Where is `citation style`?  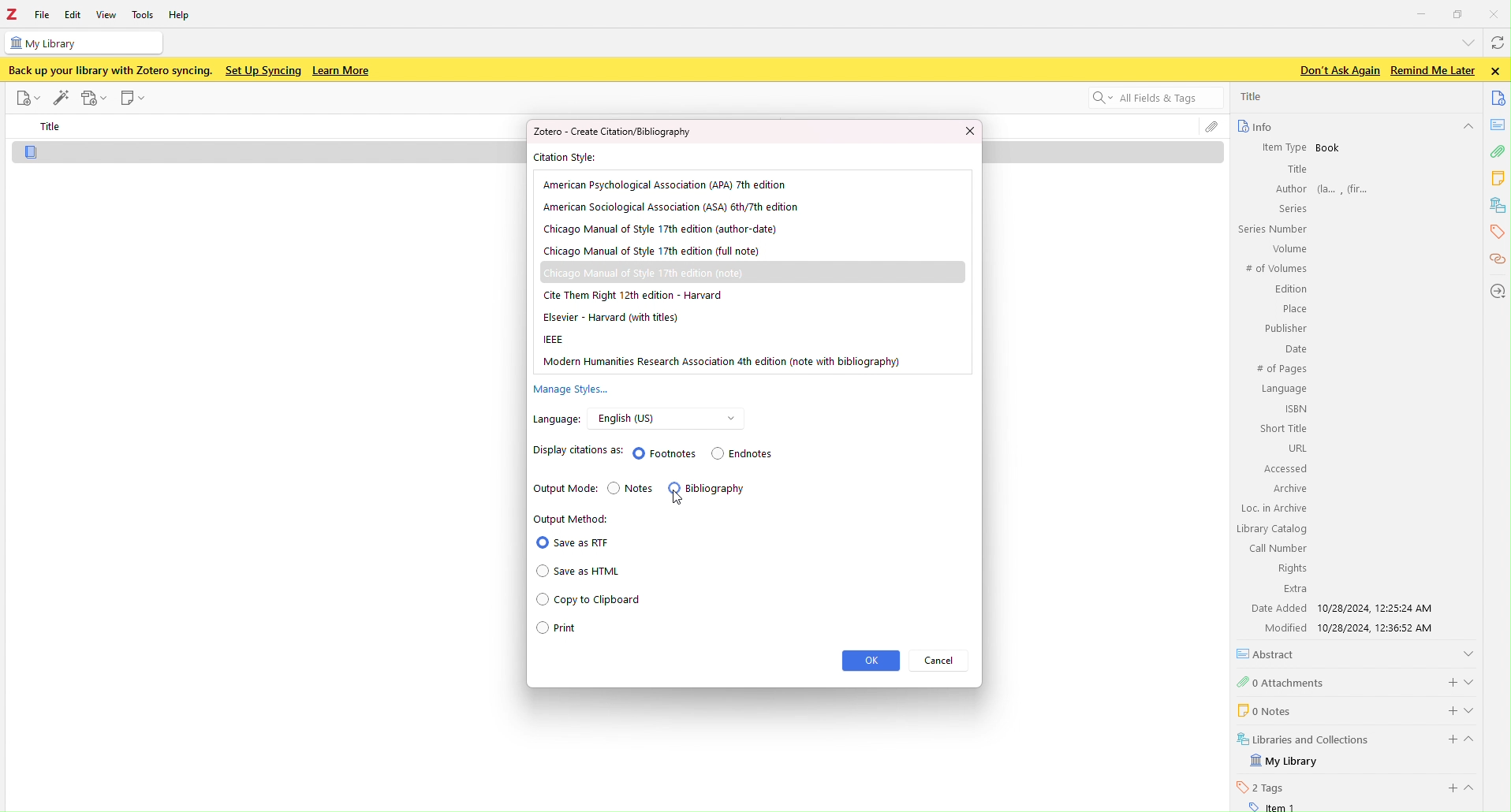 citation style is located at coordinates (574, 158).